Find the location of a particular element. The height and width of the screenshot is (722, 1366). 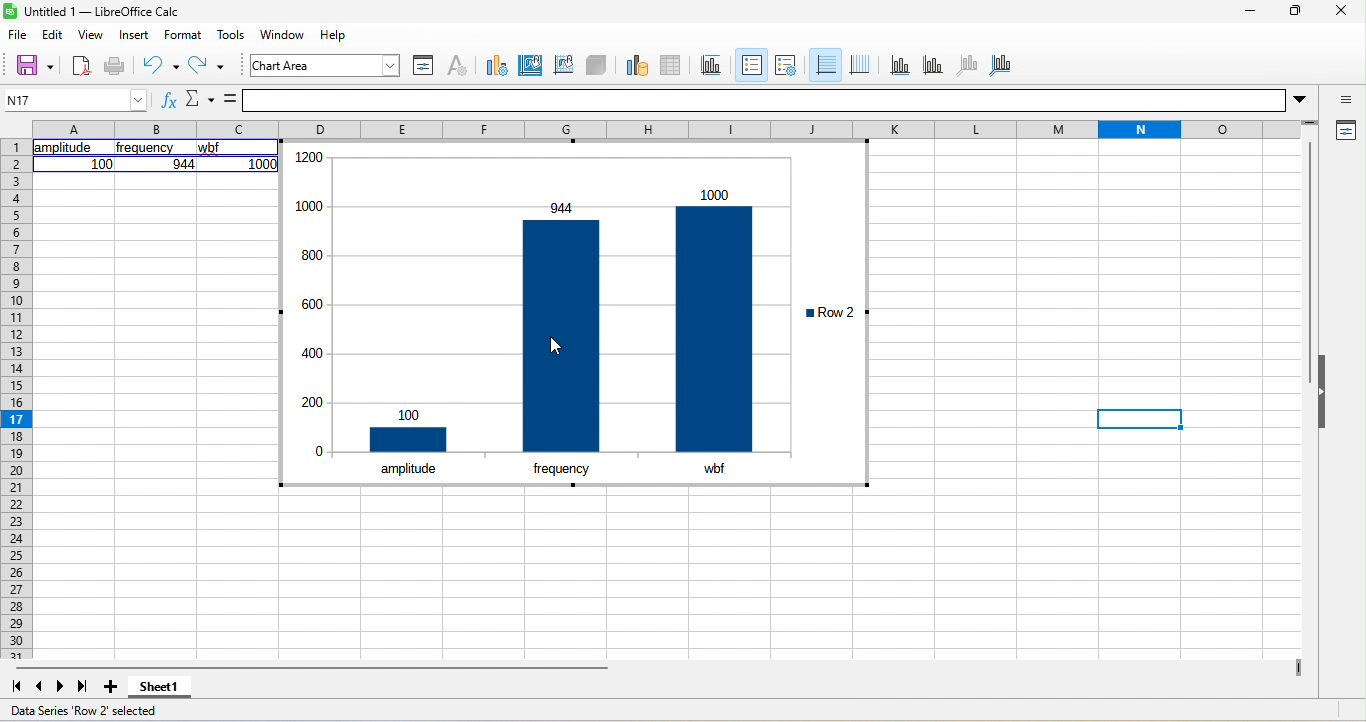

maximize is located at coordinates (1291, 12).